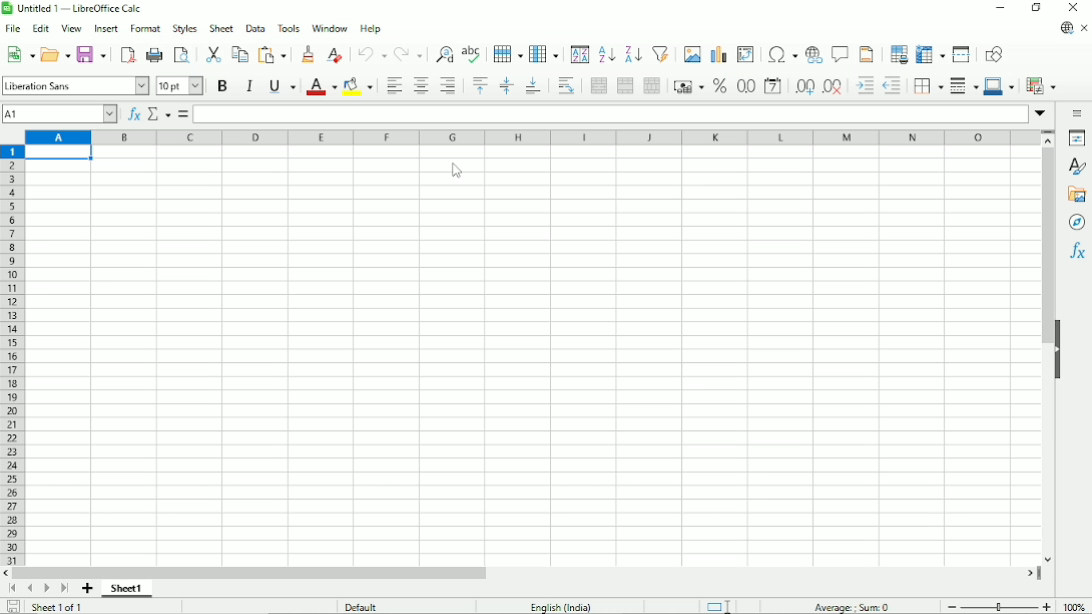  What do you see at coordinates (471, 53) in the screenshot?
I see `Spell check` at bounding box center [471, 53].